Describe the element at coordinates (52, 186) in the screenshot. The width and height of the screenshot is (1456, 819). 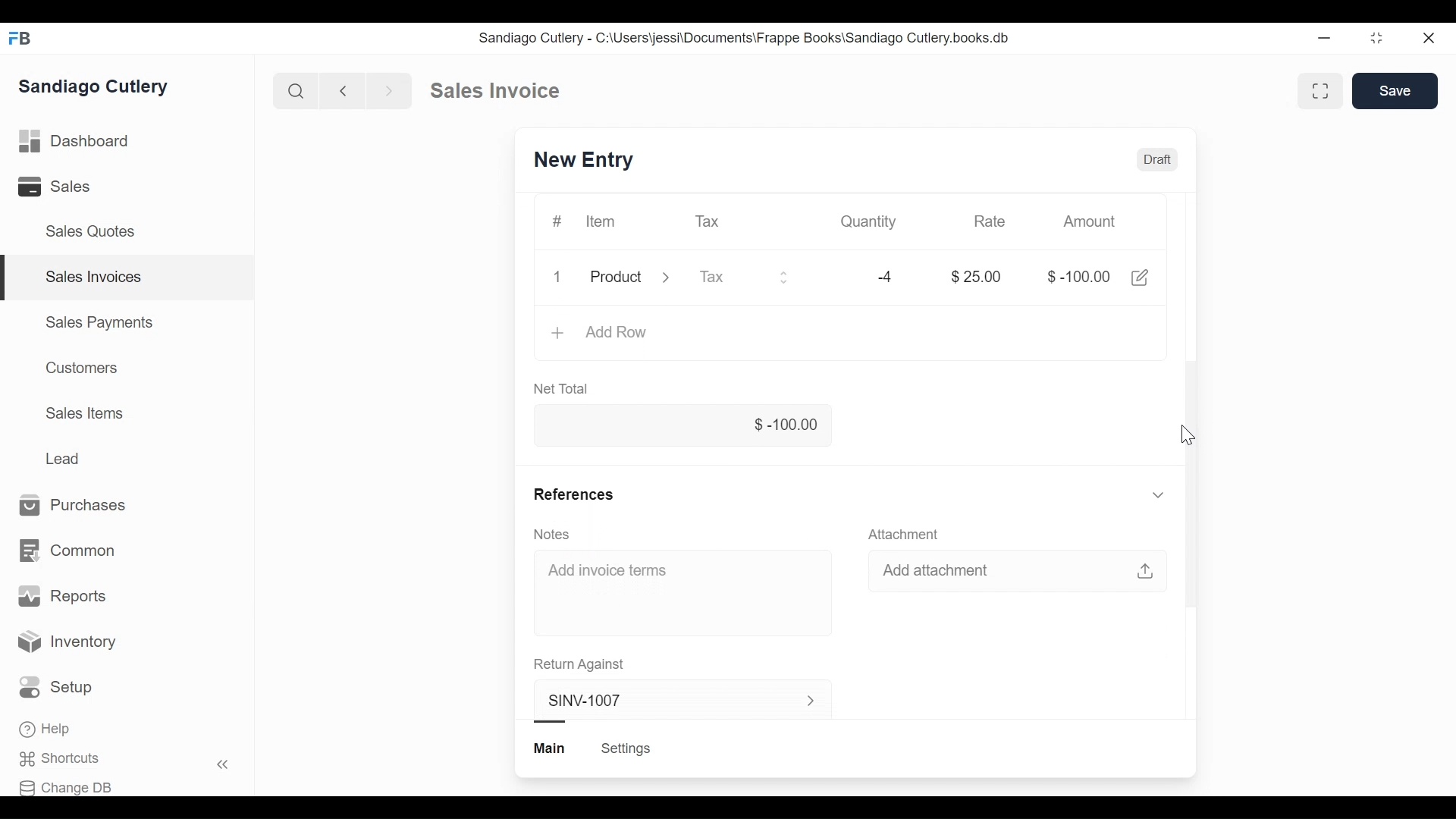
I see ` Sales` at that location.